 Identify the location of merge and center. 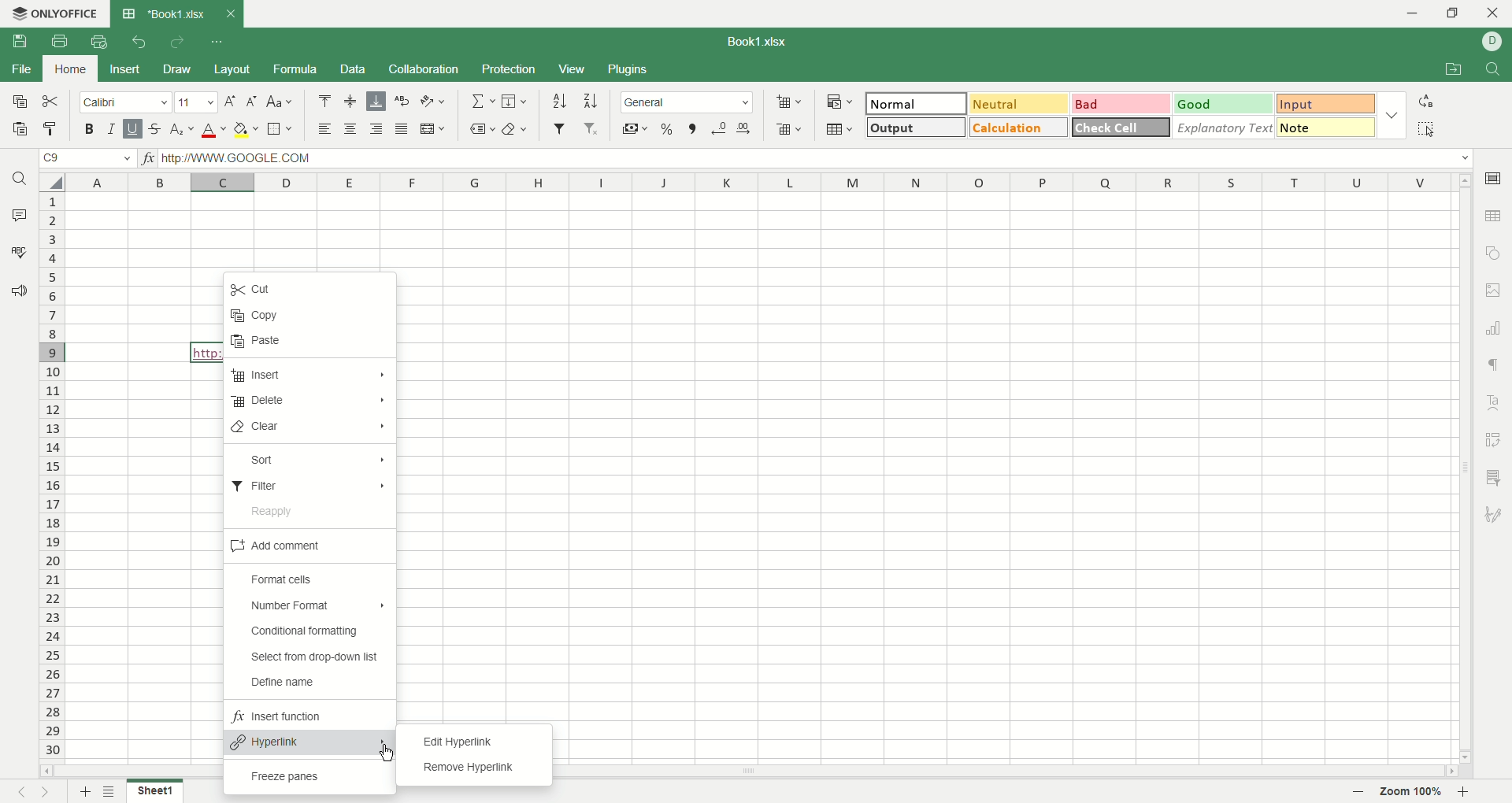
(432, 130).